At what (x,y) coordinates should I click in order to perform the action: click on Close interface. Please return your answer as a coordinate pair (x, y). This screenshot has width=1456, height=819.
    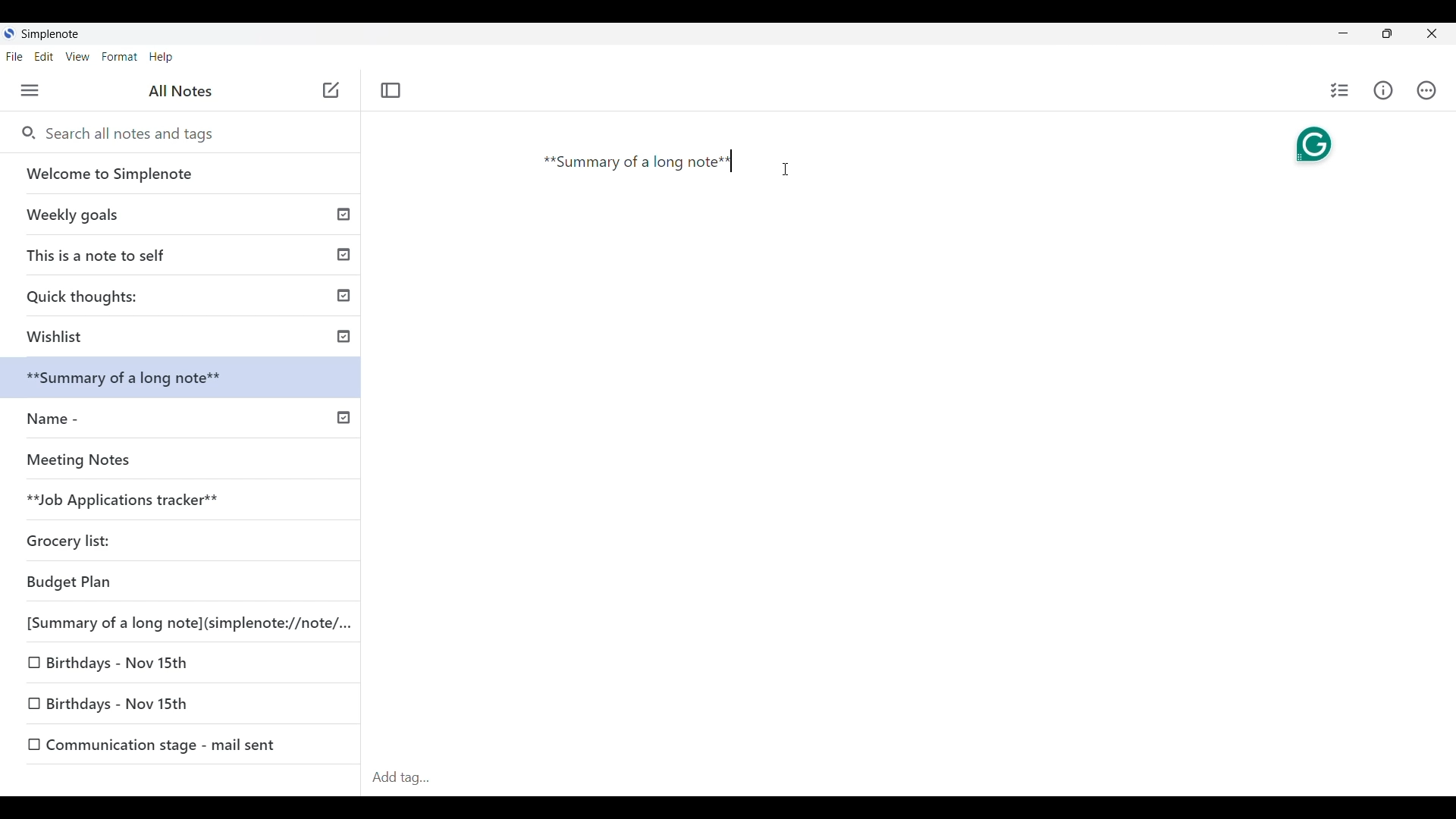
    Looking at the image, I should click on (1431, 33).